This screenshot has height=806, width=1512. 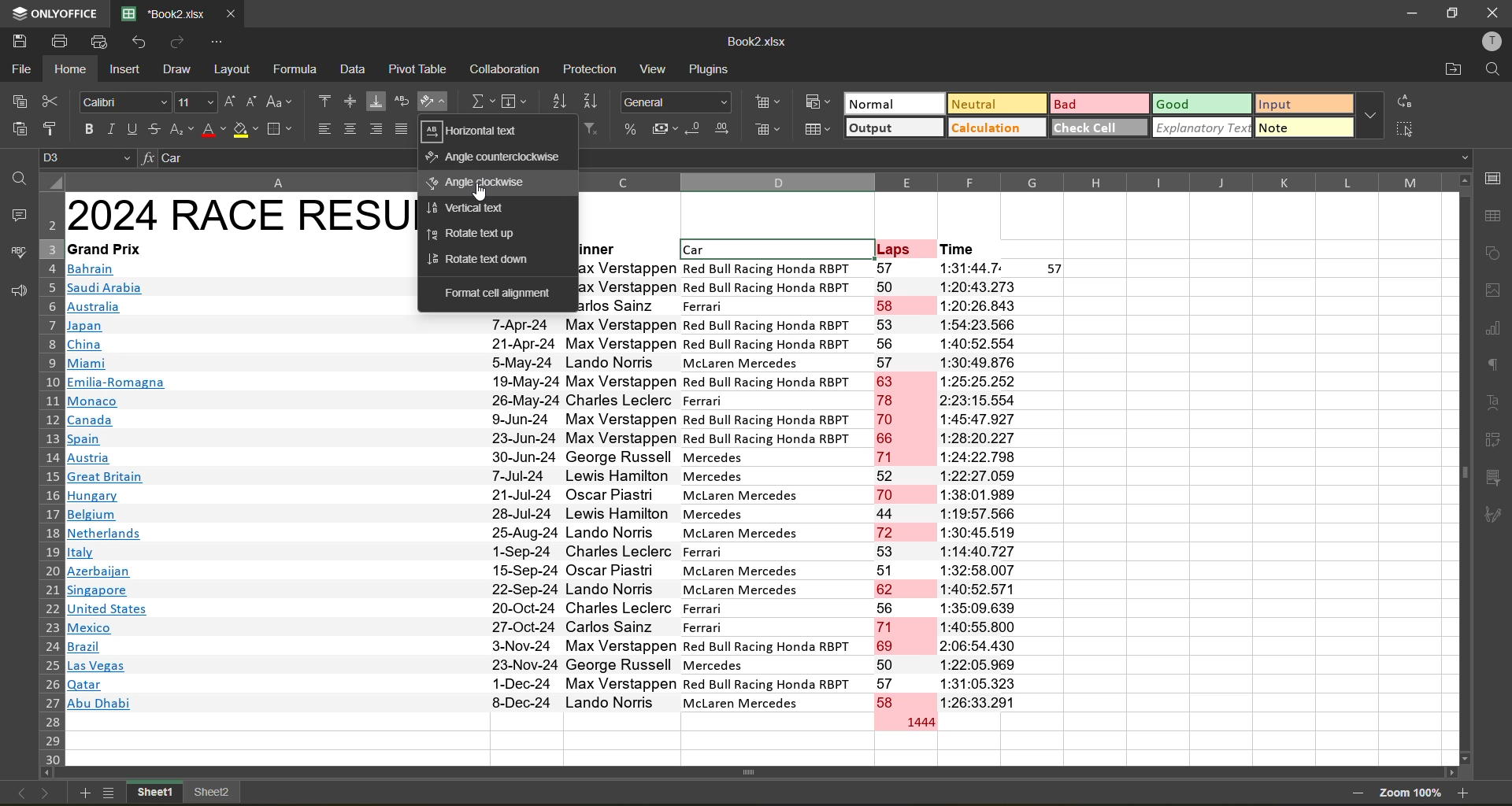 I want to click on Heading, so click(x=239, y=215).